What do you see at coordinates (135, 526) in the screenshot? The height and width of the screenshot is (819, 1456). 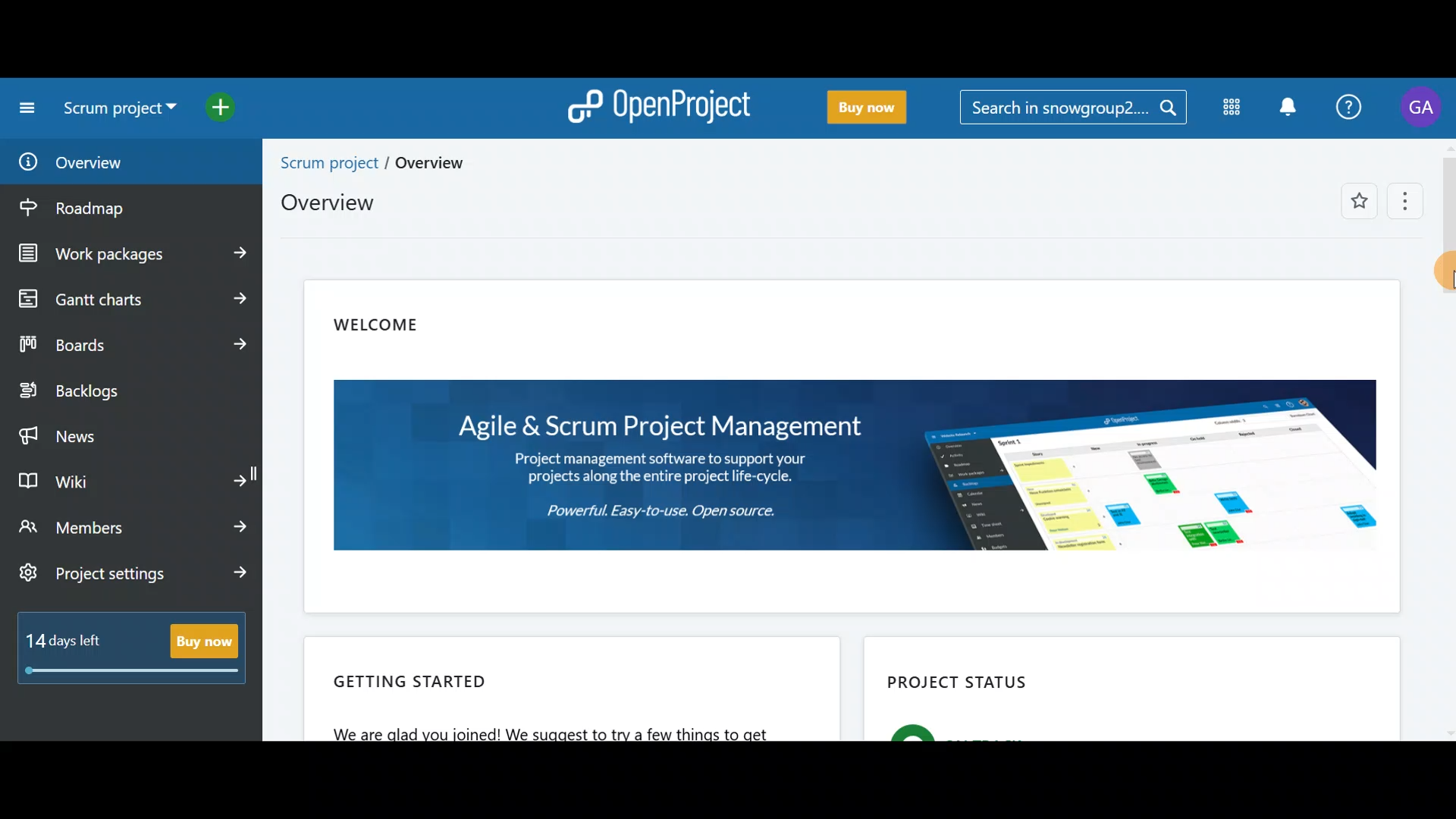 I see `Members` at bounding box center [135, 526].